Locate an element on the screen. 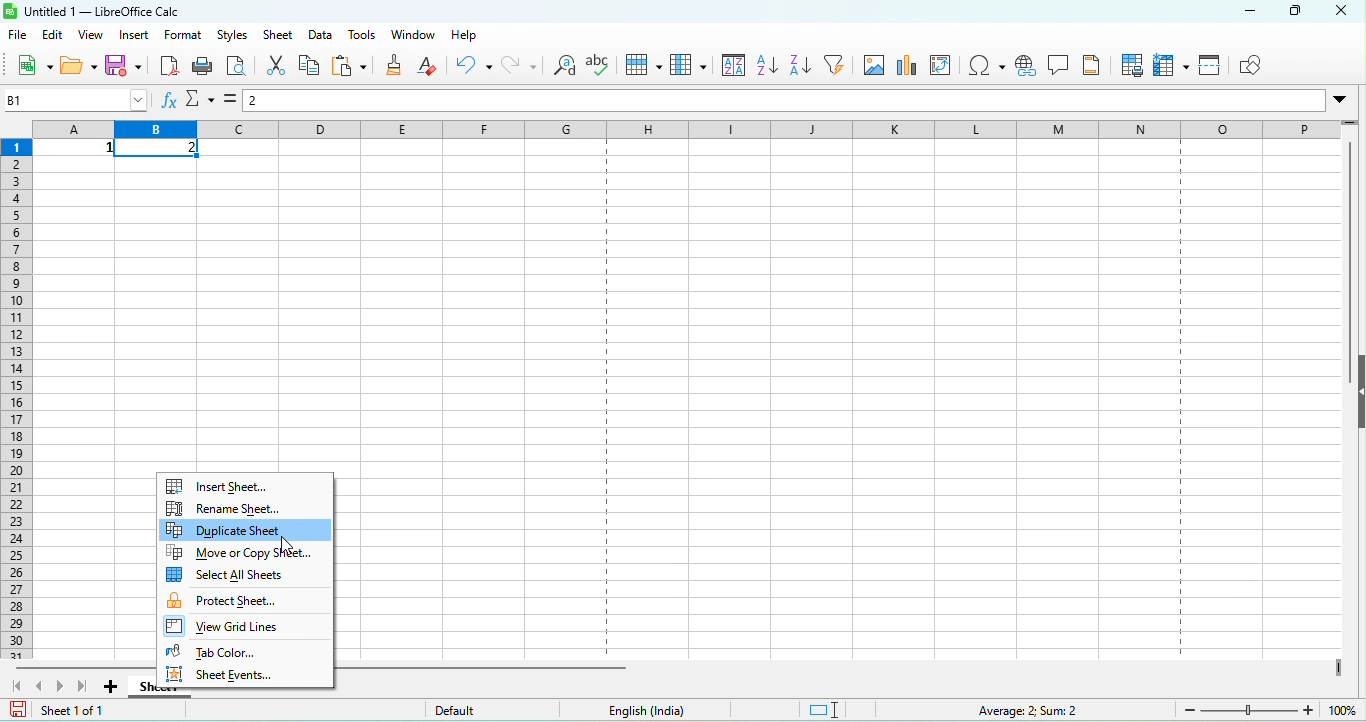 This screenshot has height=722, width=1366. scroll to last sheet is located at coordinates (84, 688).